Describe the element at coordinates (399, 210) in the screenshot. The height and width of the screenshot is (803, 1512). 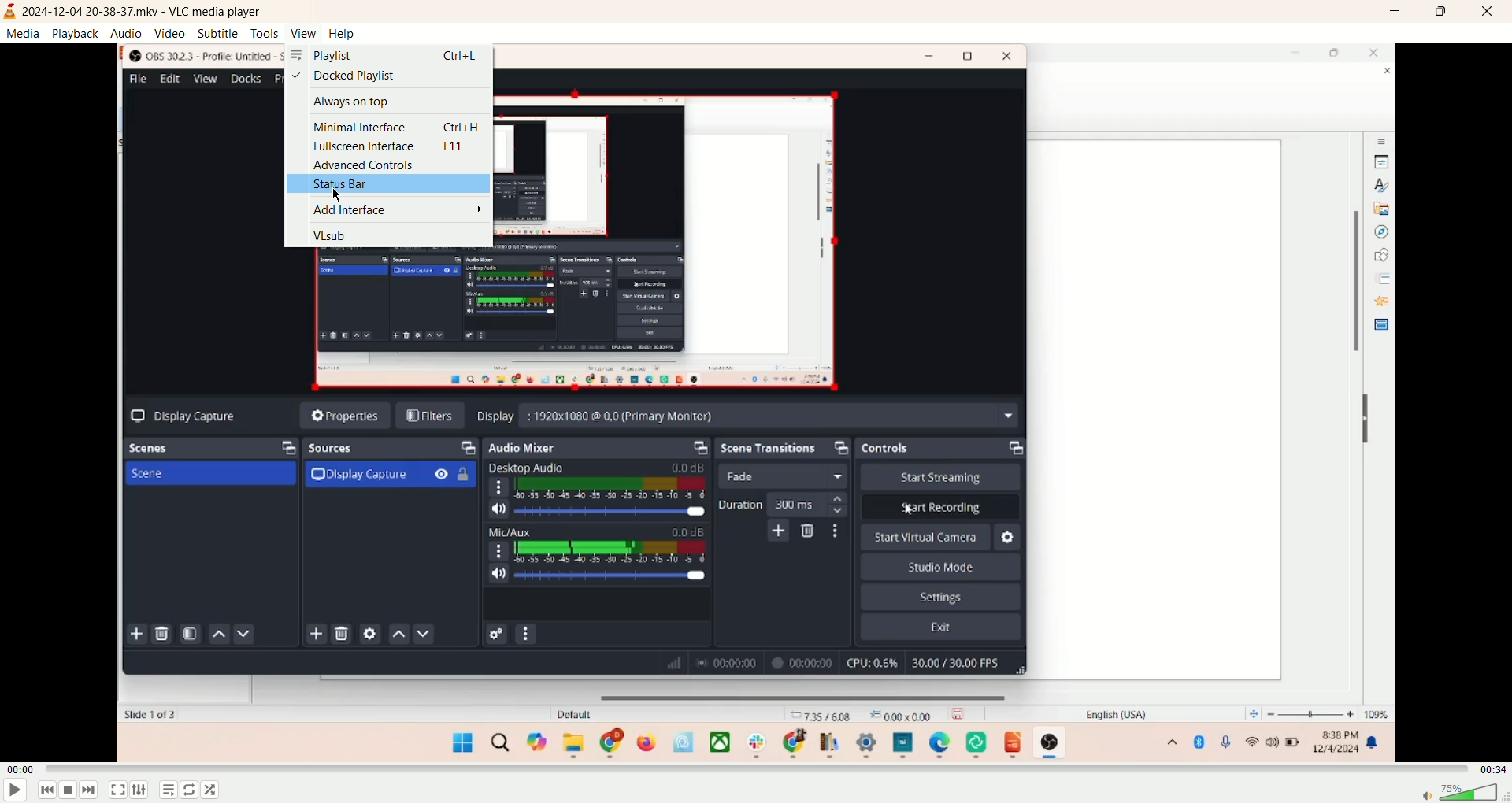
I see `add interface` at that location.